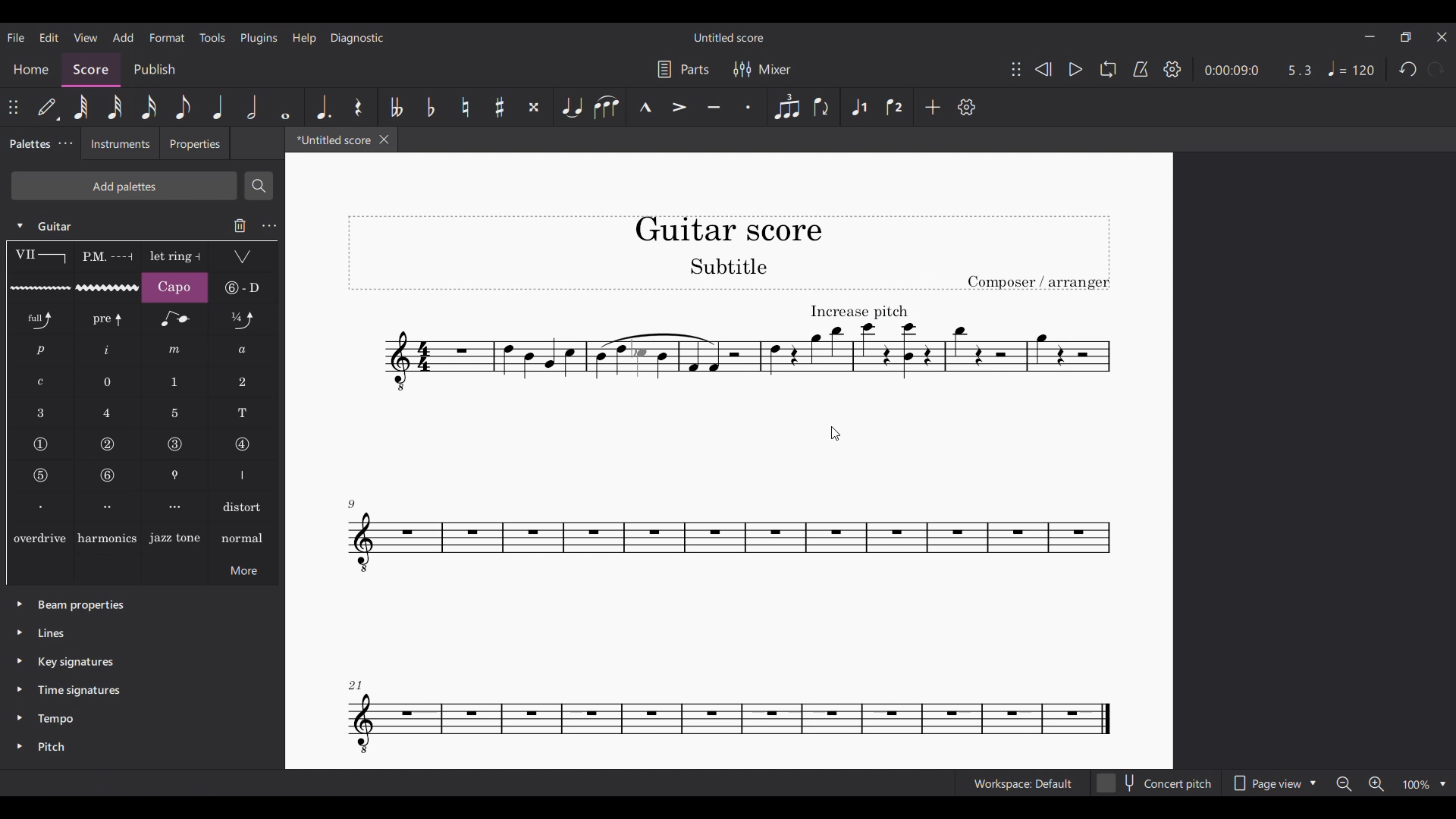 This screenshot has height=819, width=1456. Describe the element at coordinates (835, 434) in the screenshot. I see `Cursor` at that location.